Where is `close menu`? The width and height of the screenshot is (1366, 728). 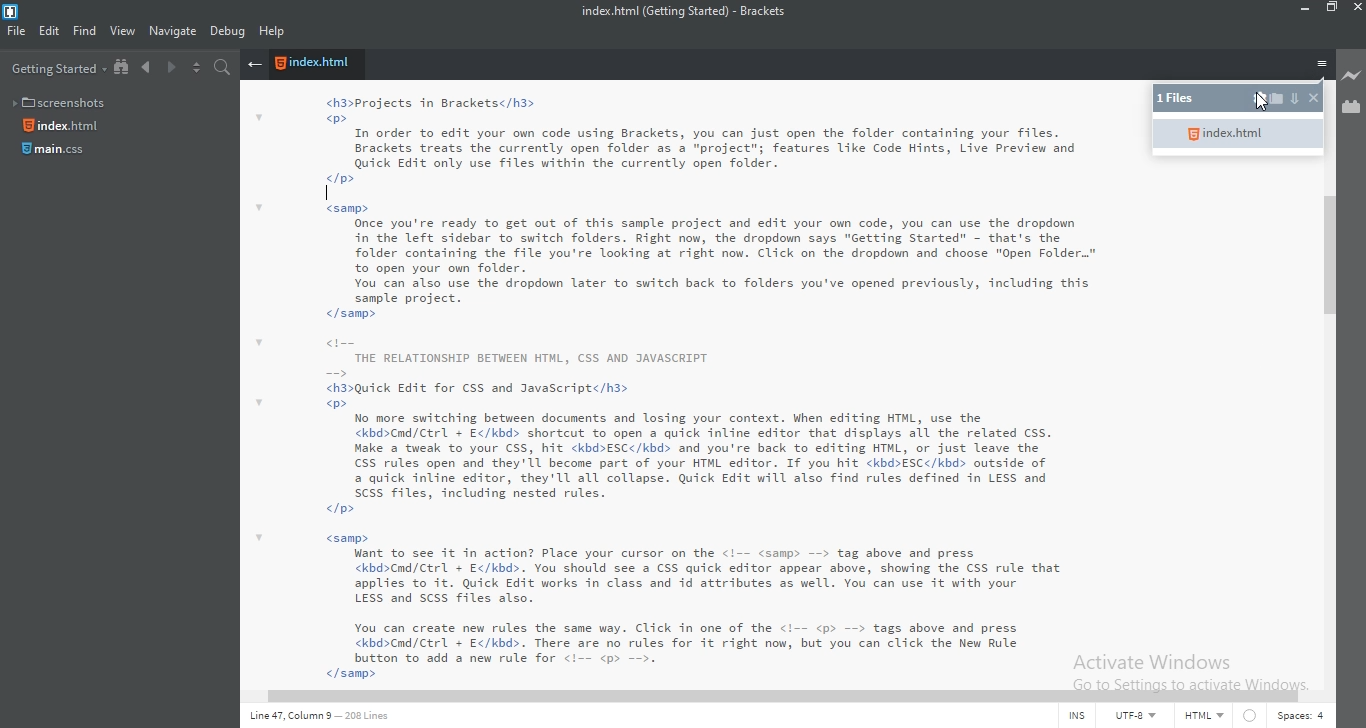 close menu is located at coordinates (254, 65).